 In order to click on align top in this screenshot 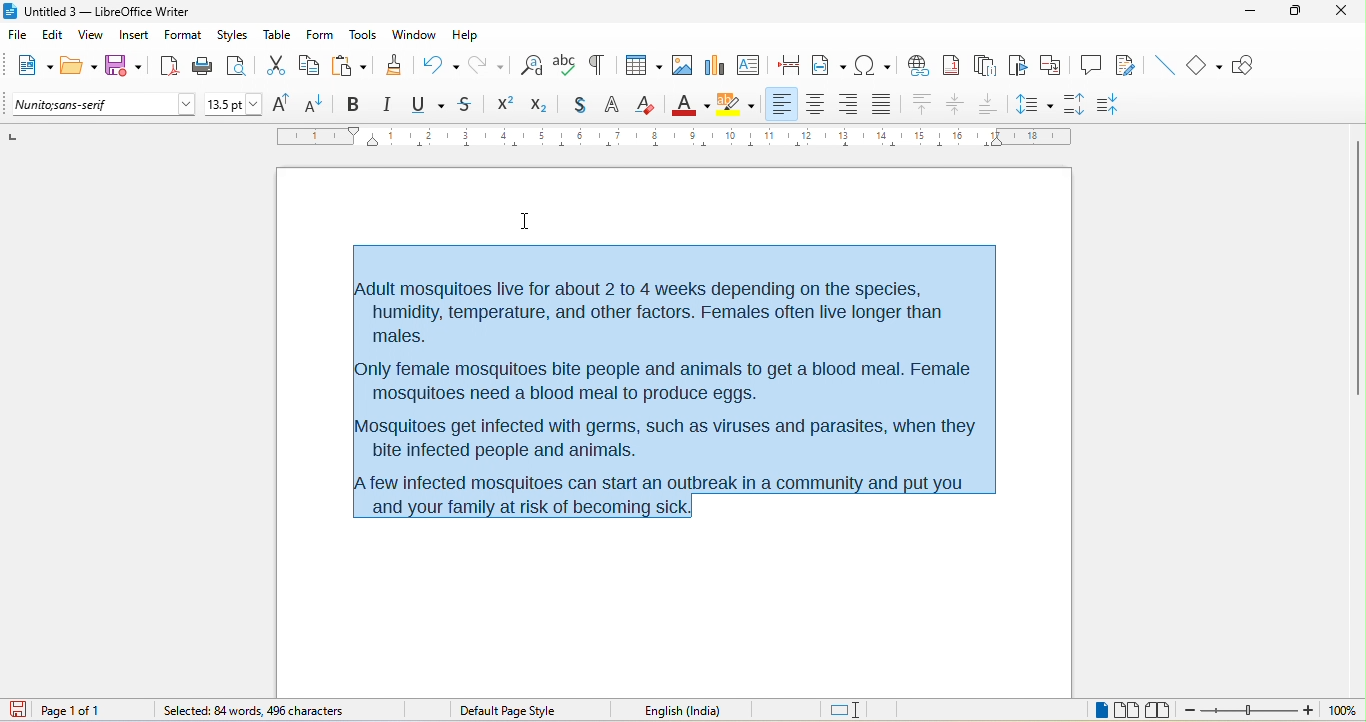, I will do `click(923, 105)`.